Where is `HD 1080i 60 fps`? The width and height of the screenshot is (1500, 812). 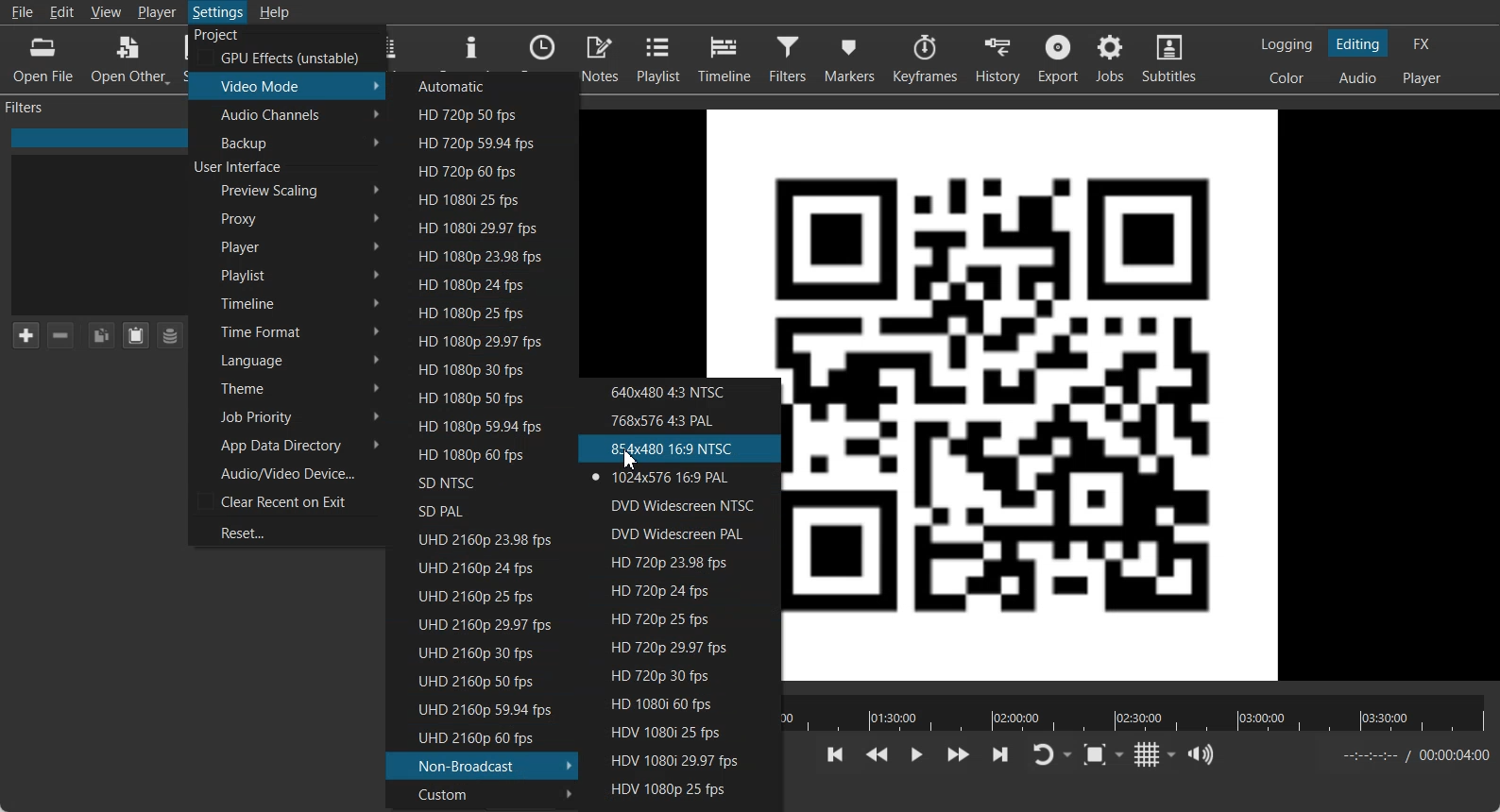
HD 1080i 60 fps is located at coordinates (682, 705).